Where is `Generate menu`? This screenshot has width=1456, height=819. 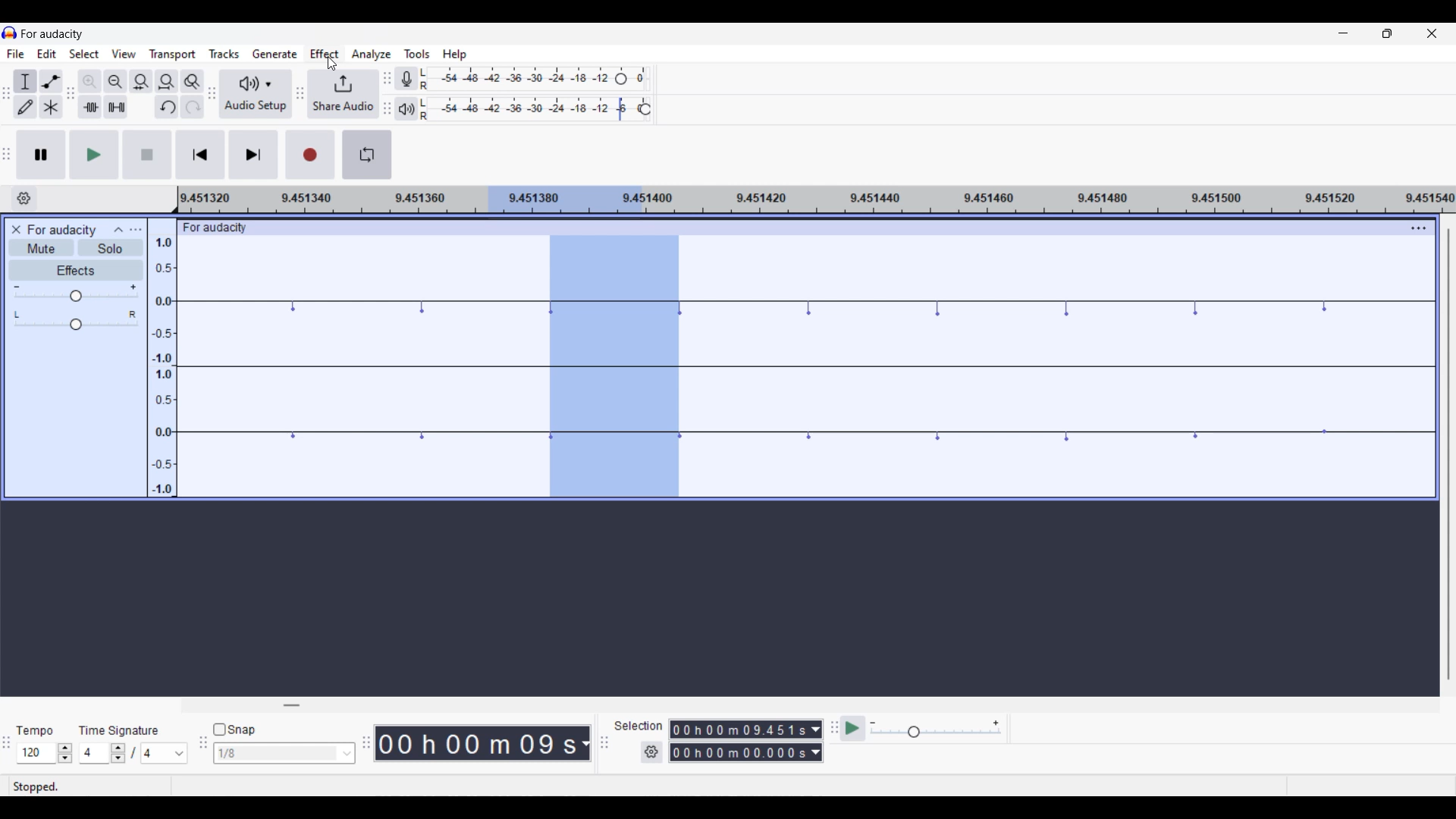 Generate menu is located at coordinates (275, 53).